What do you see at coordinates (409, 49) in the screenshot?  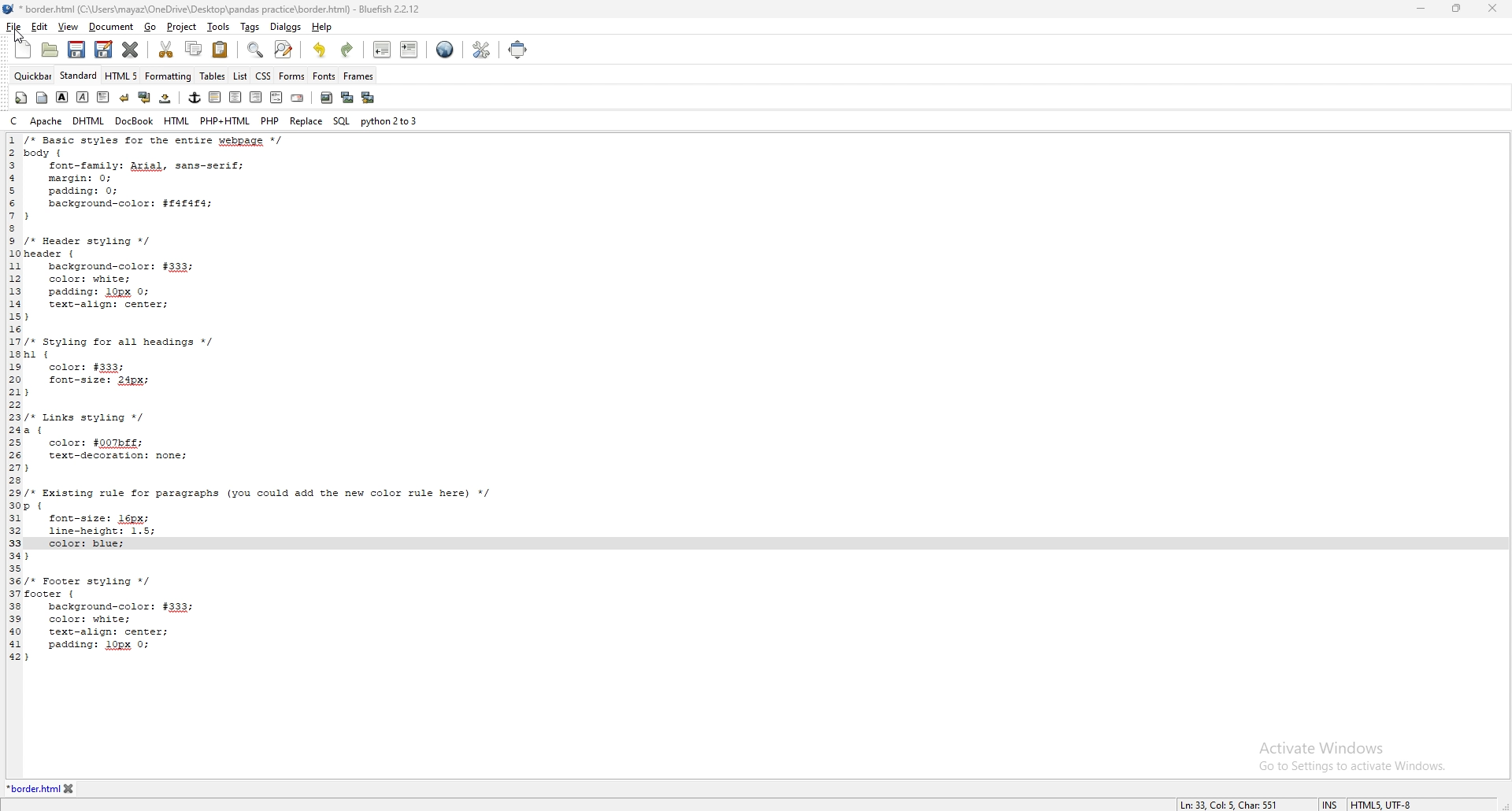 I see `indent` at bounding box center [409, 49].